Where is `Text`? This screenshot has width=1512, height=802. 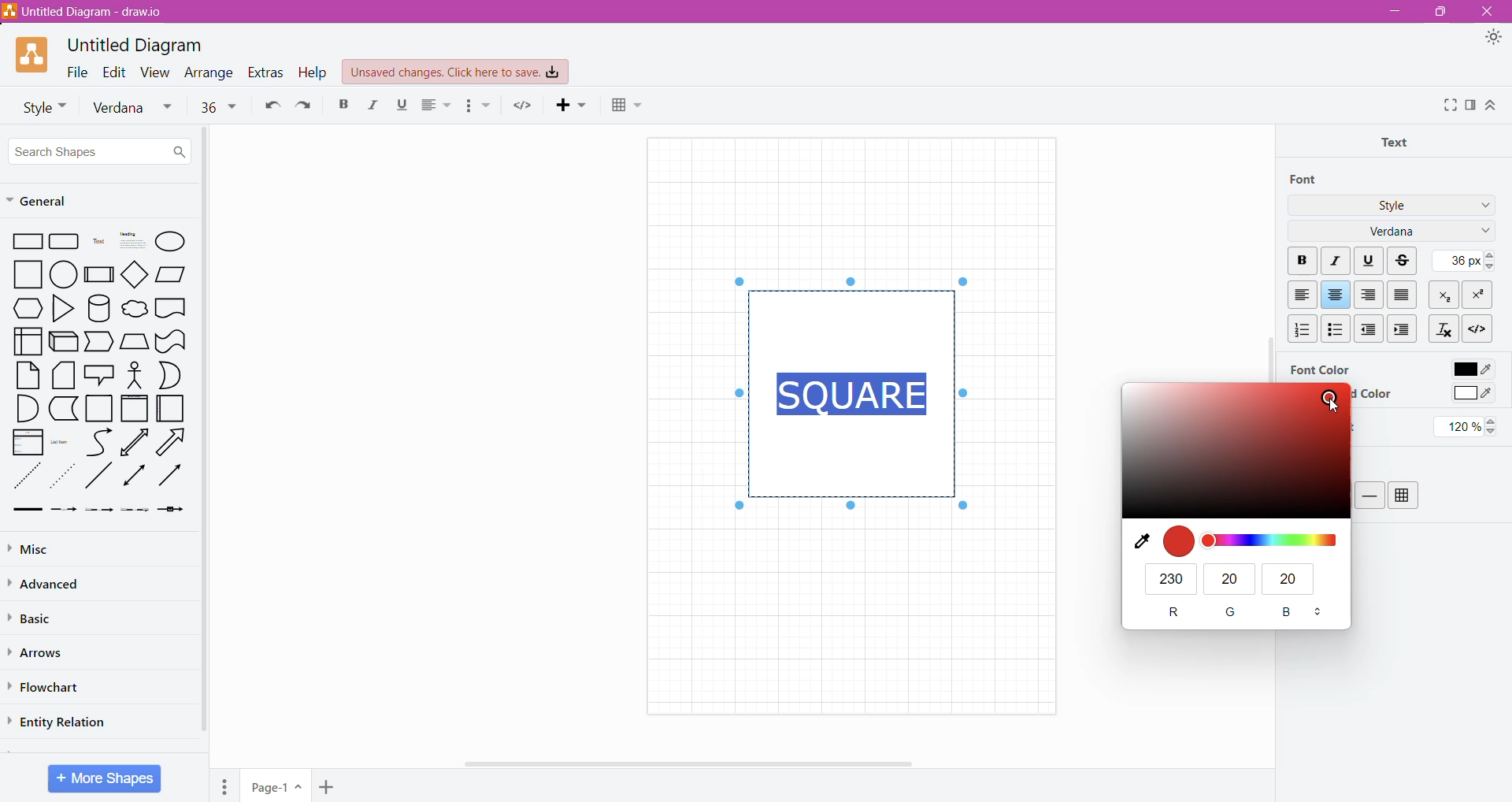
Text is located at coordinates (1399, 141).